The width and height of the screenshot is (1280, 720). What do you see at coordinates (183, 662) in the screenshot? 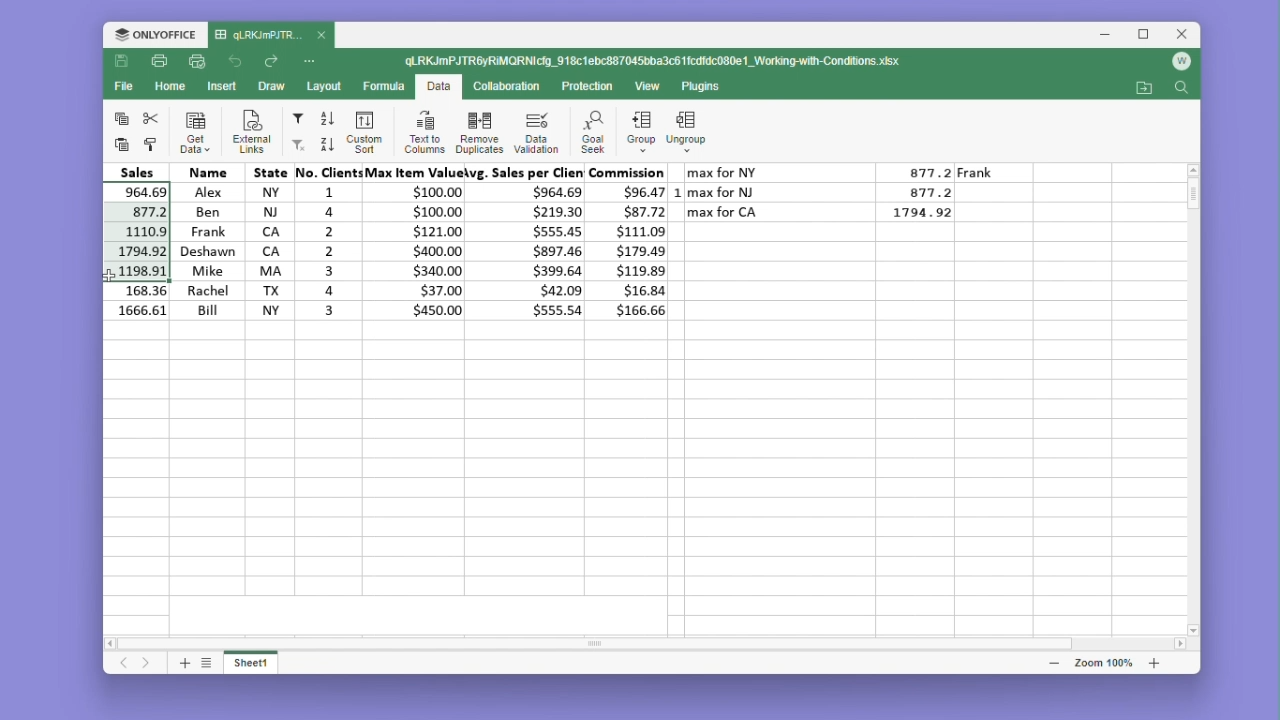
I see `add sheet` at bounding box center [183, 662].